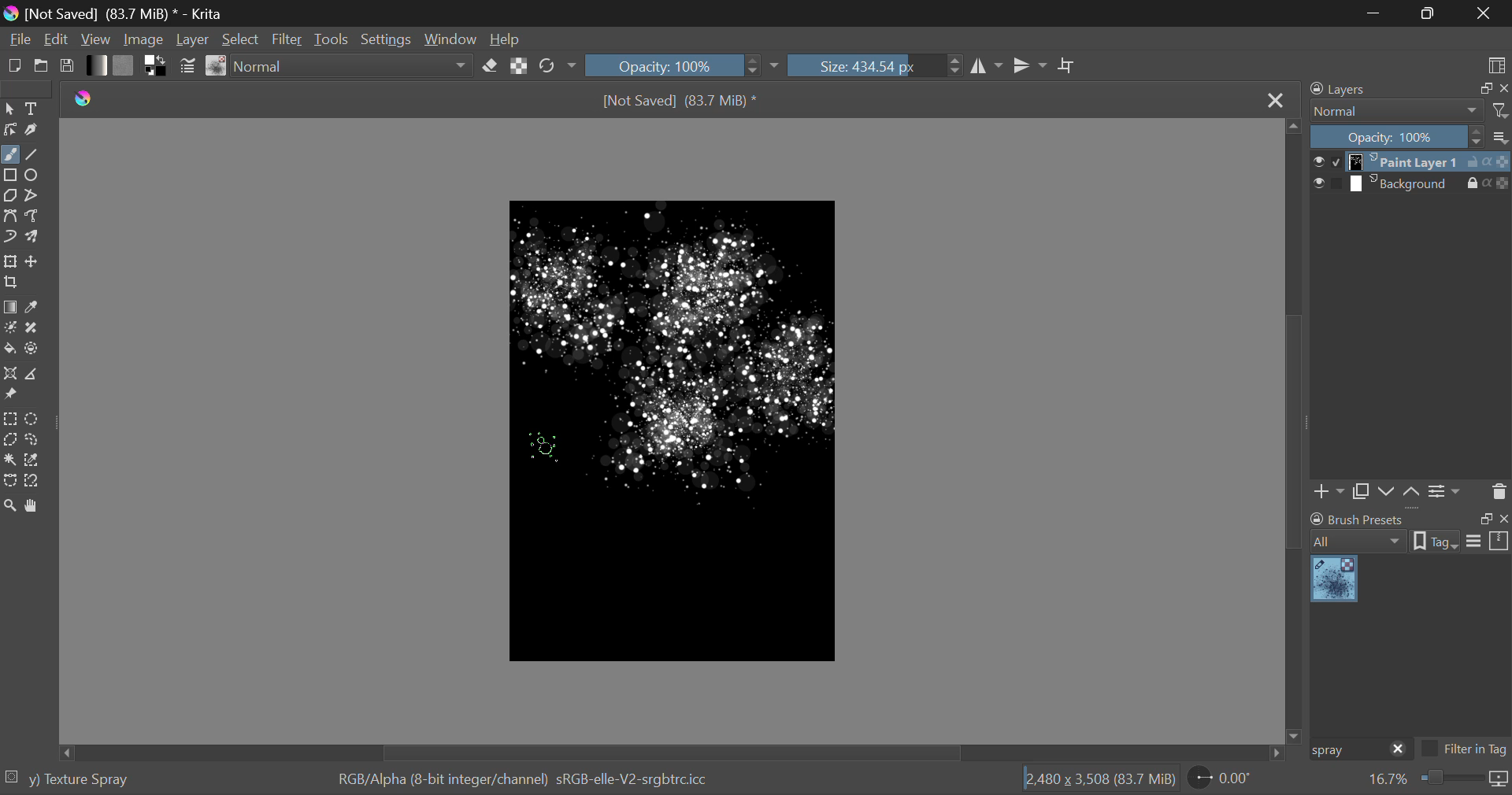 The height and width of the screenshot is (795, 1512). Describe the element at coordinates (33, 439) in the screenshot. I see `Freehand Selection` at that location.